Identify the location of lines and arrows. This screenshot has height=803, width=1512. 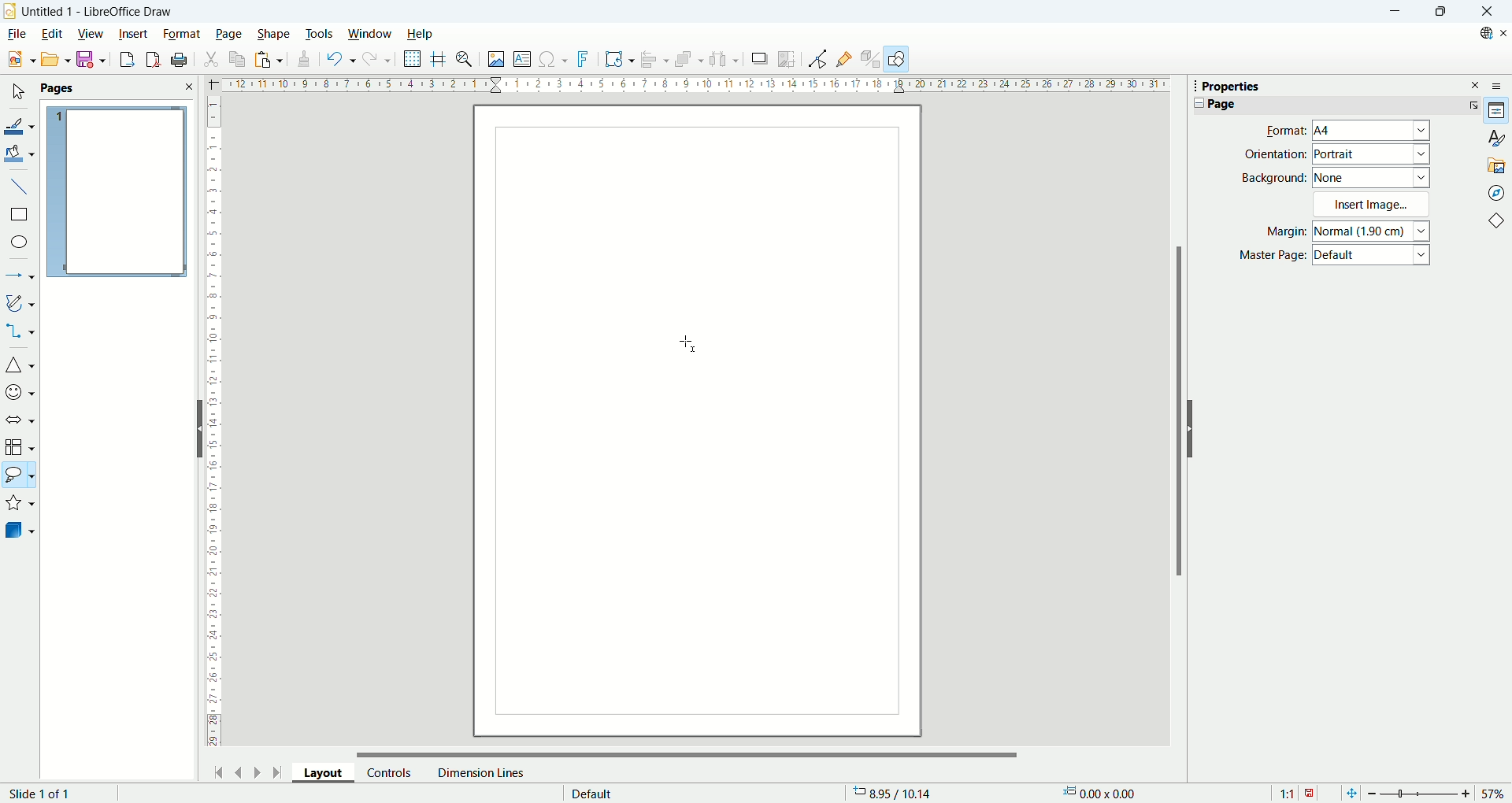
(20, 277).